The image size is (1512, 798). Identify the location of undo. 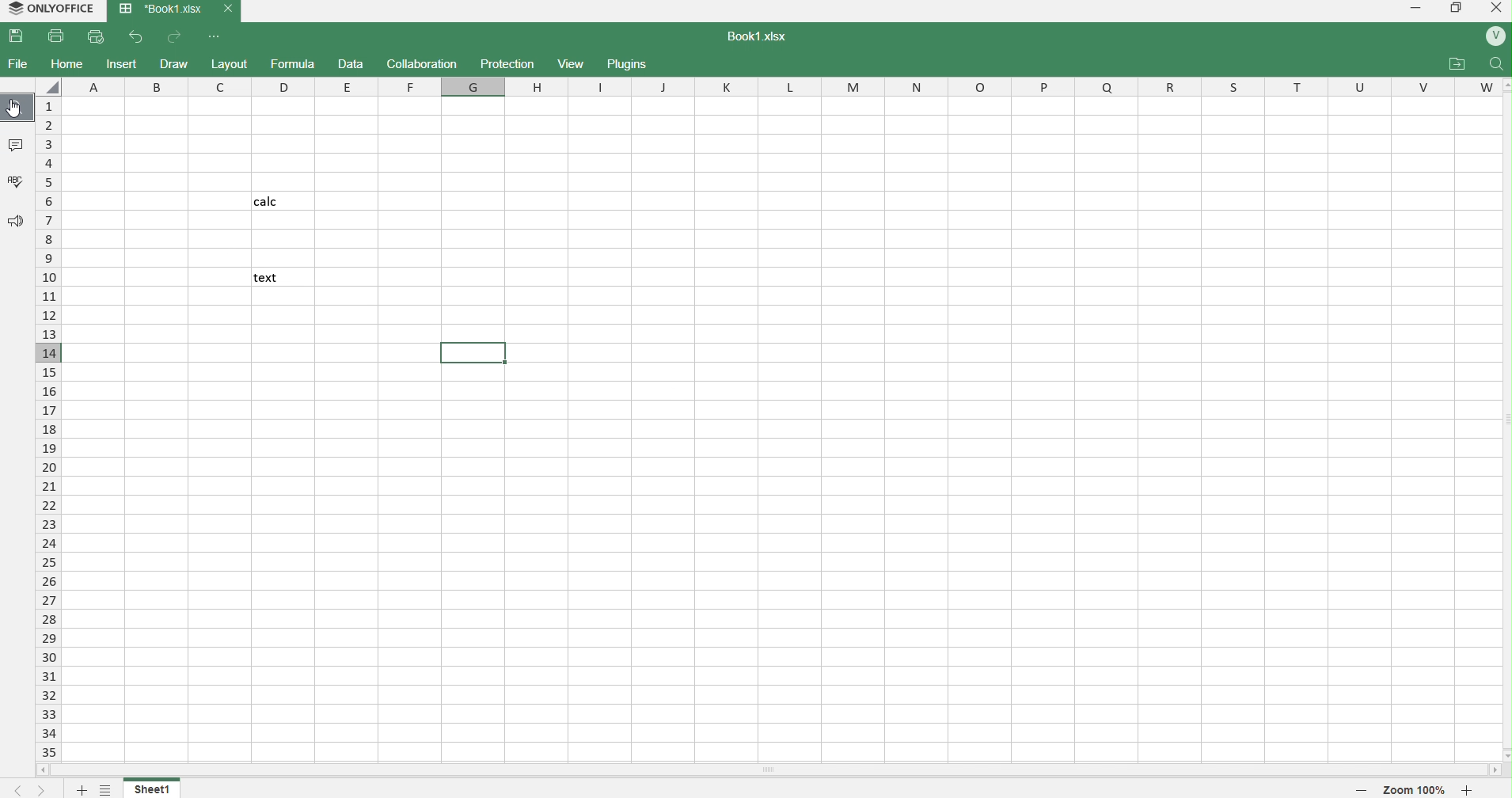
(138, 38).